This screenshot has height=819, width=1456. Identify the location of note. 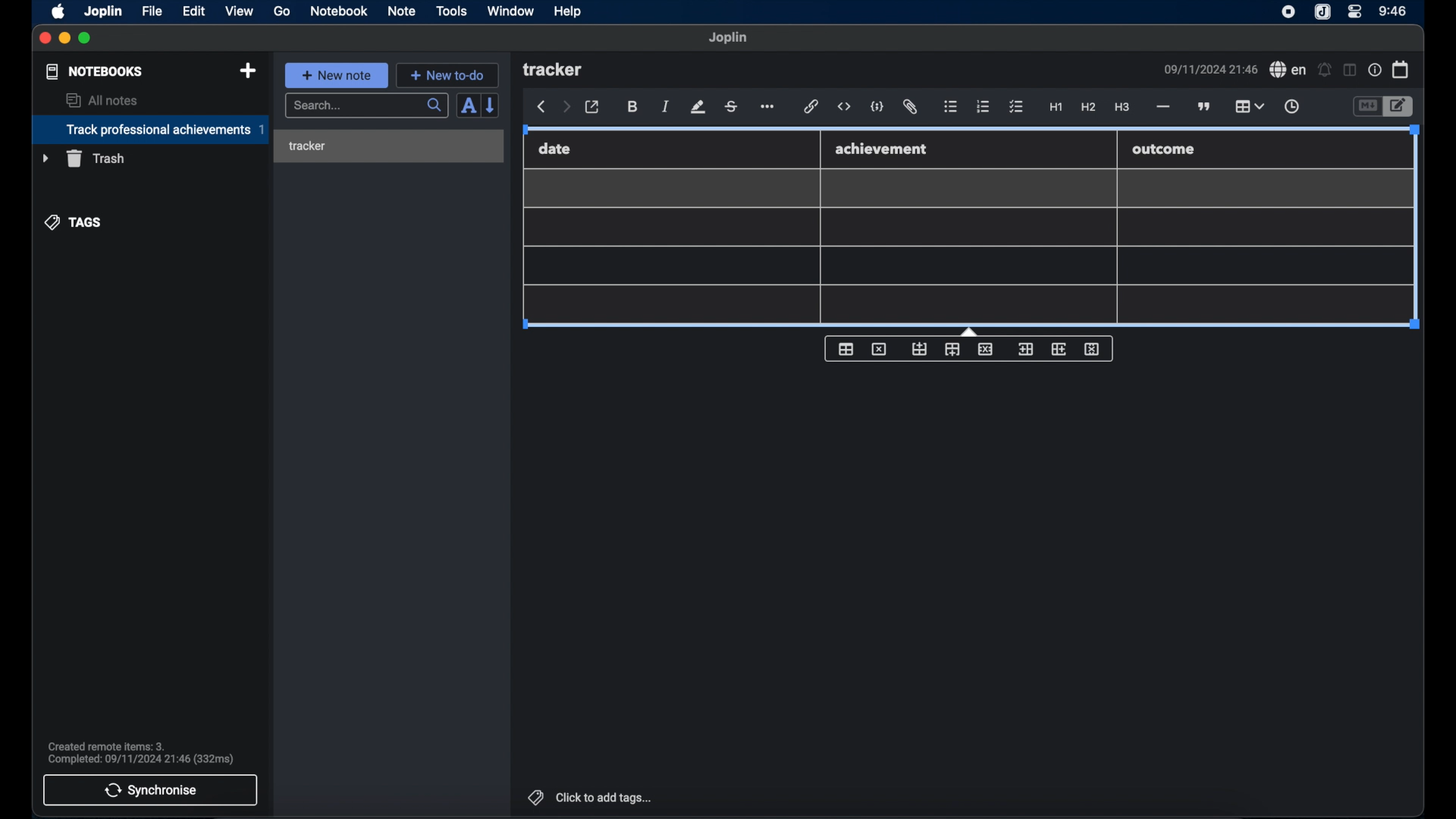
(401, 11).